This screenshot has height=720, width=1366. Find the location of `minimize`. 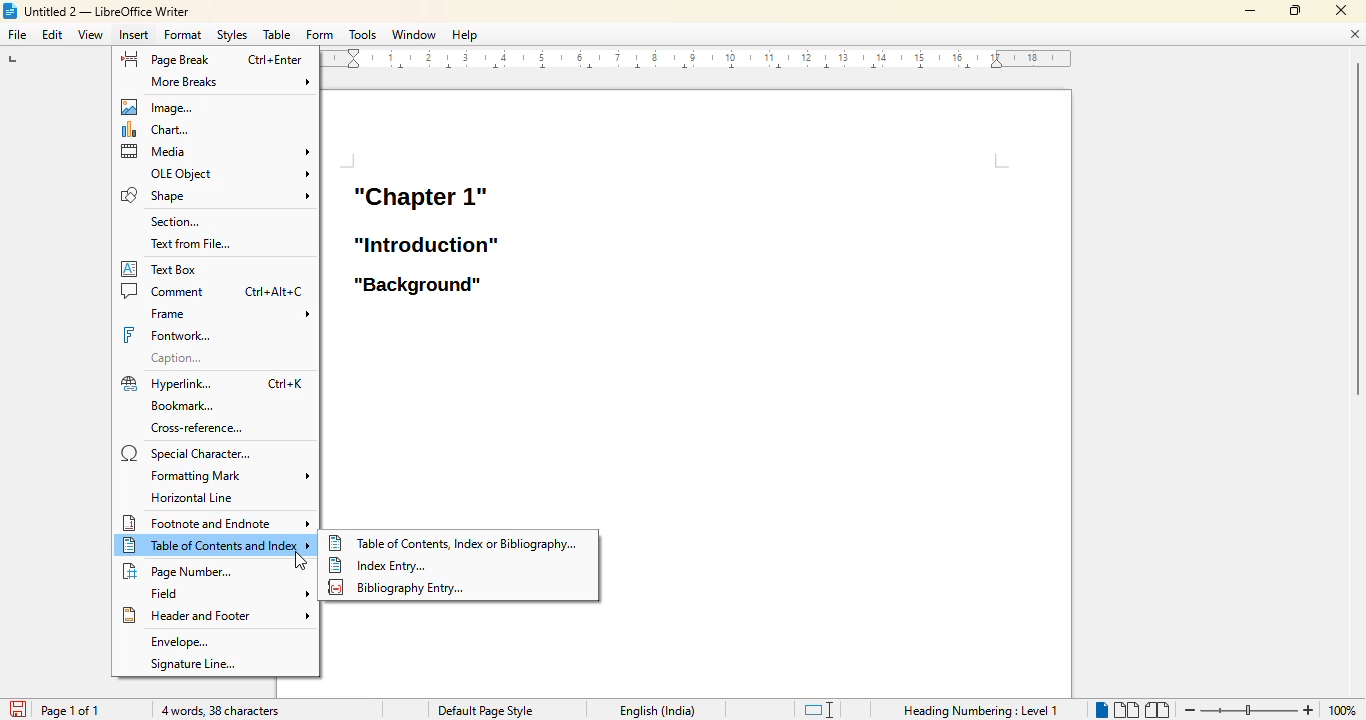

minimize is located at coordinates (1251, 11).